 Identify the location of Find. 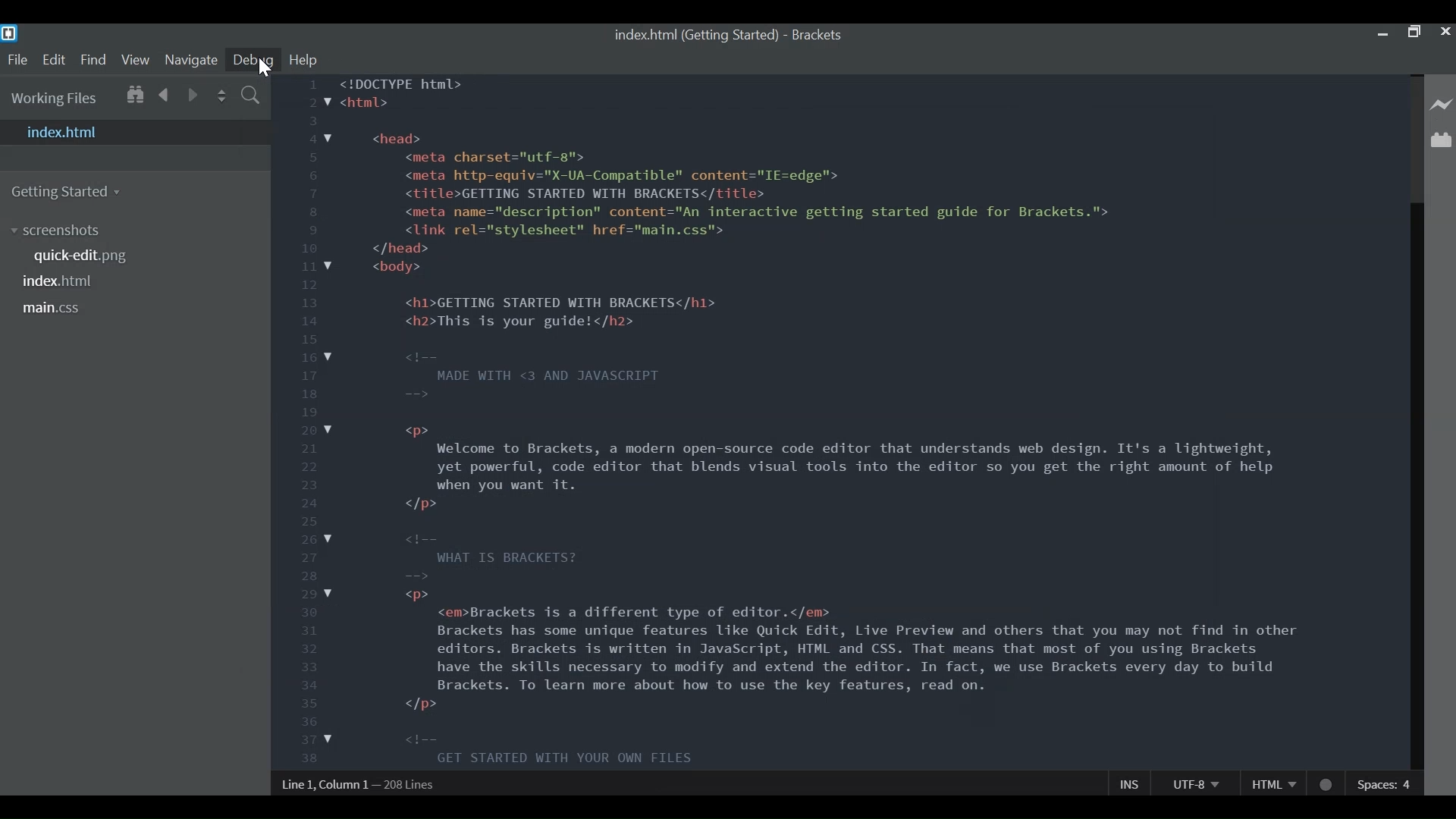
(94, 59).